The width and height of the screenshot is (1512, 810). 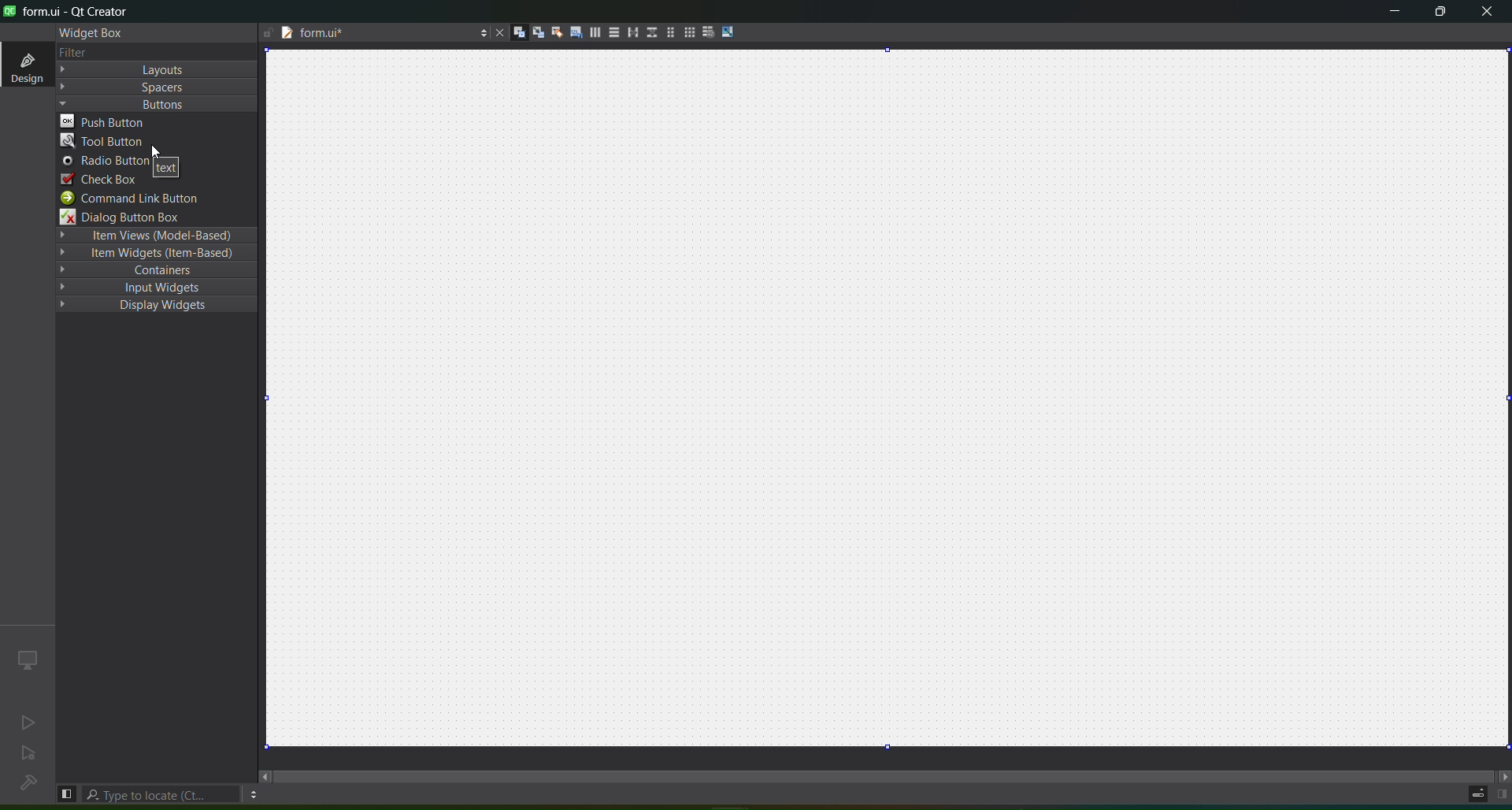 I want to click on no active project, so click(x=31, y=720).